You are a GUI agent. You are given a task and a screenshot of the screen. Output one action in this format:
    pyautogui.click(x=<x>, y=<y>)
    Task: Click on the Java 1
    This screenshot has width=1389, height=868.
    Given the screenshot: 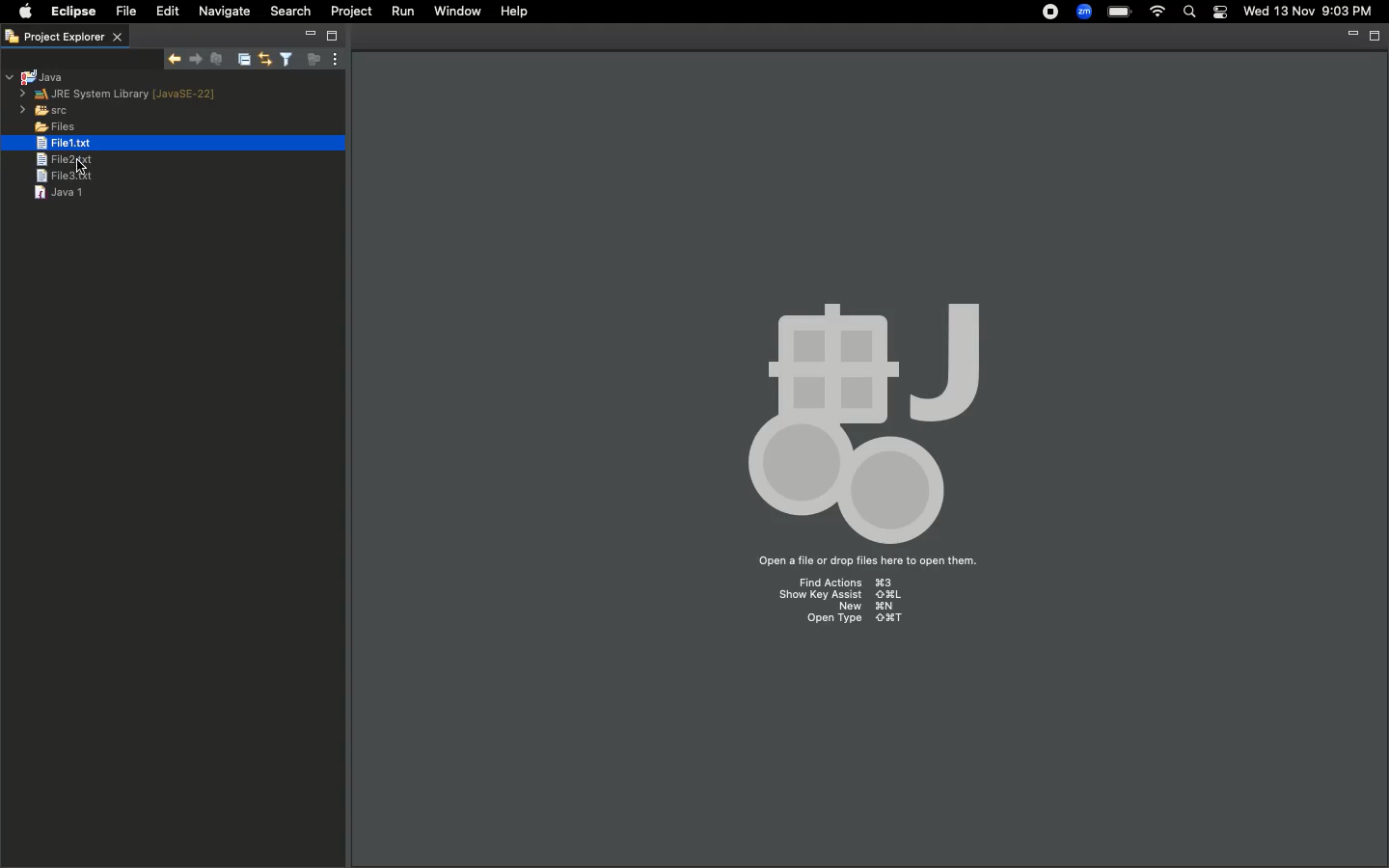 What is the action you would take?
    pyautogui.click(x=58, y=192)
    